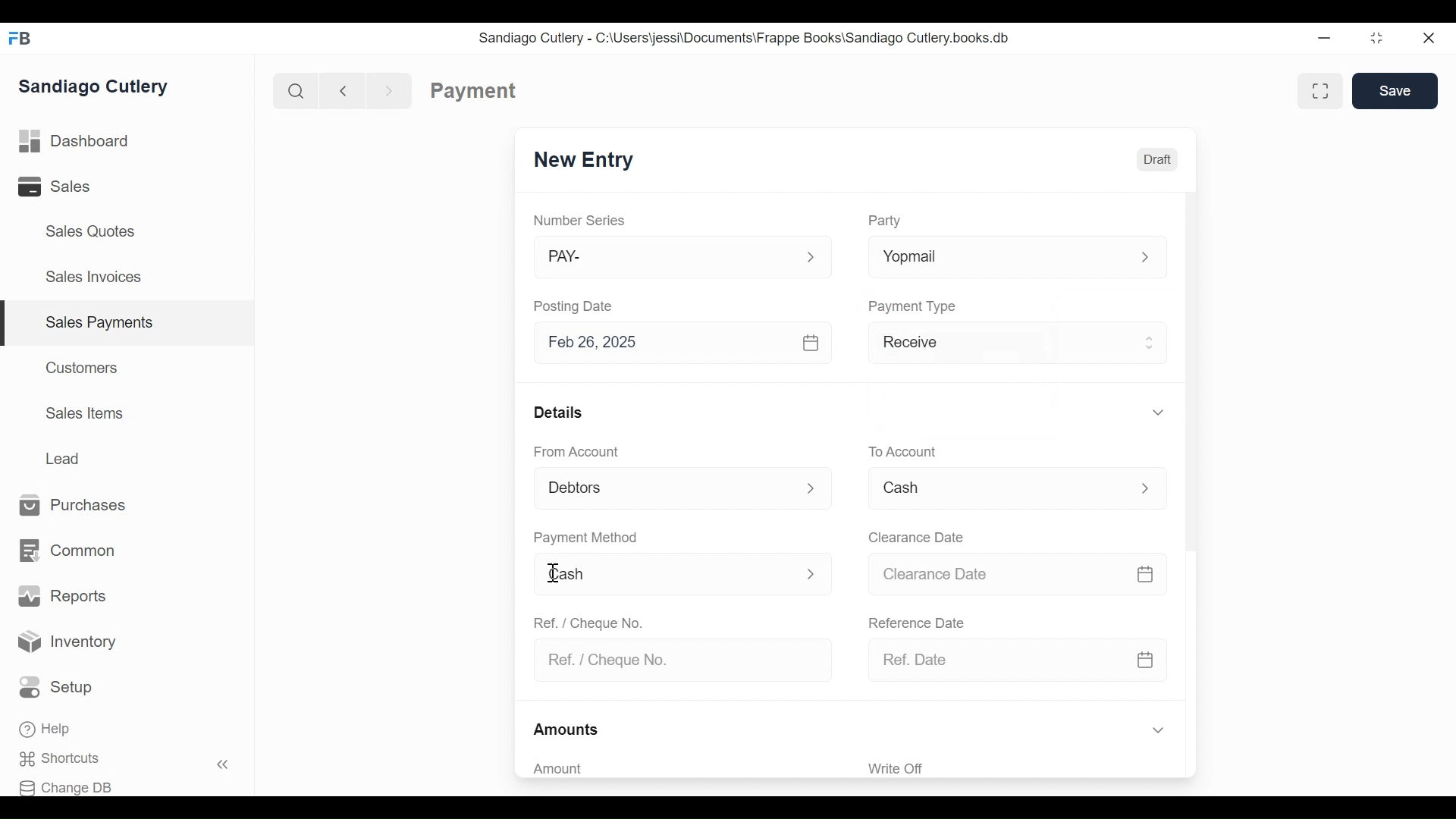 This screenshot has height=819, width=1456. I want to click on Number Series, so click(581, 221).